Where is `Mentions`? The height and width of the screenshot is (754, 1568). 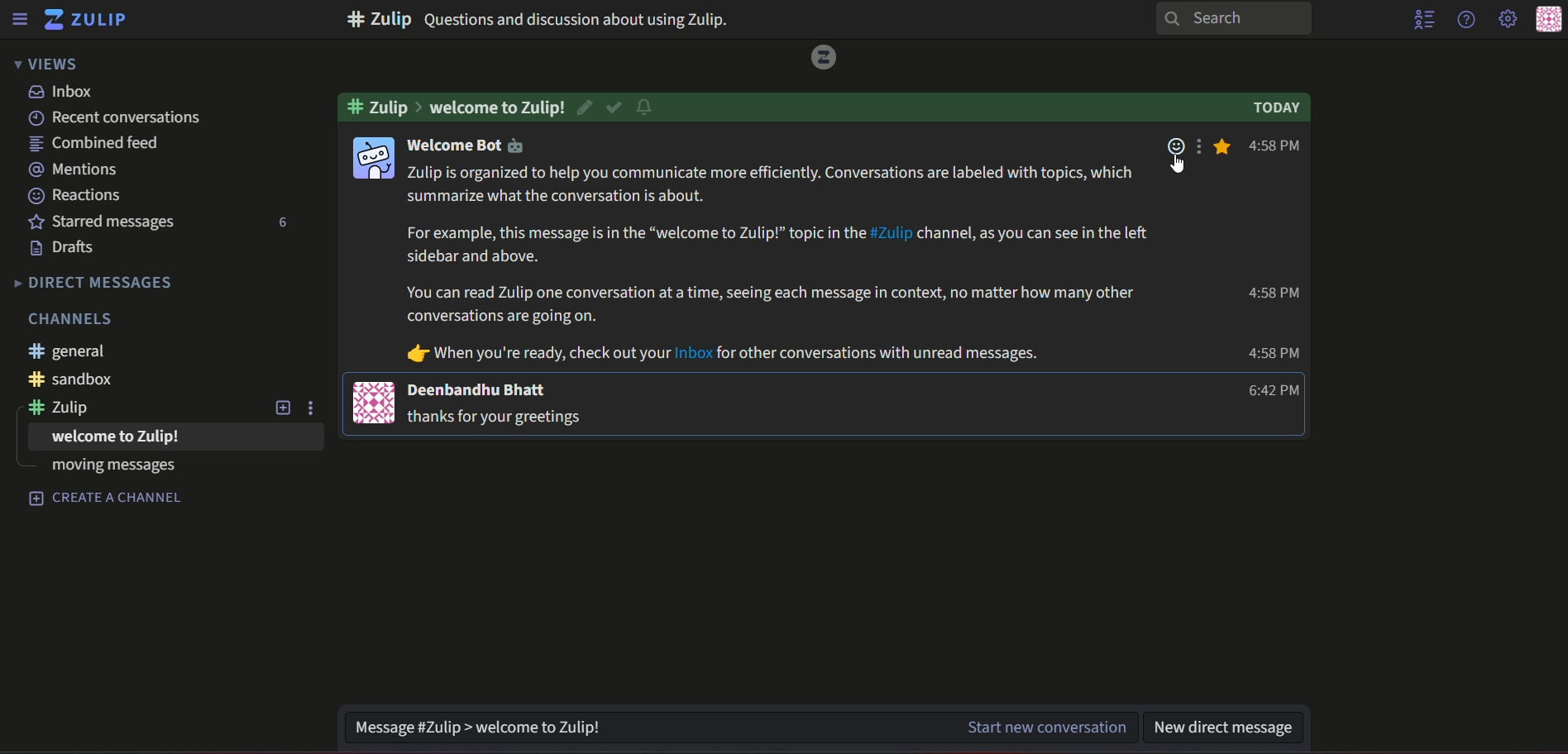 Mentions is located at coordinates (74, 167).